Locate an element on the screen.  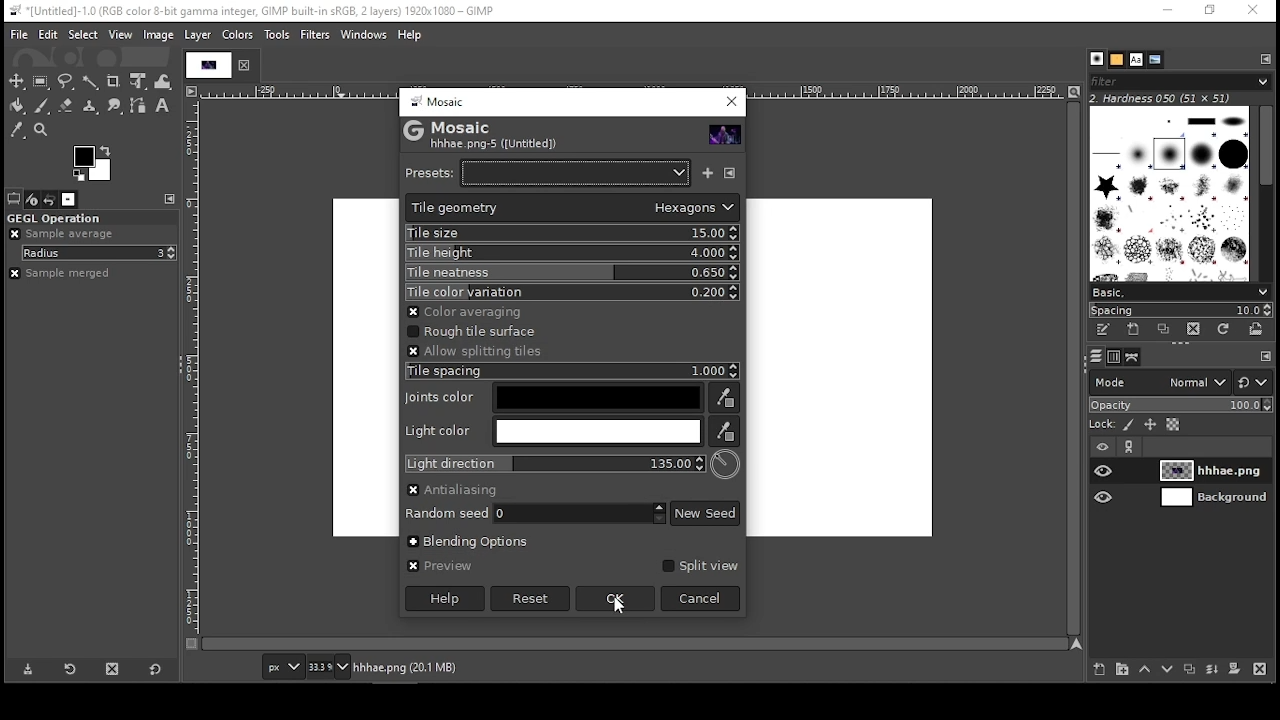
crop  tool is located at coordinates (114, 82).